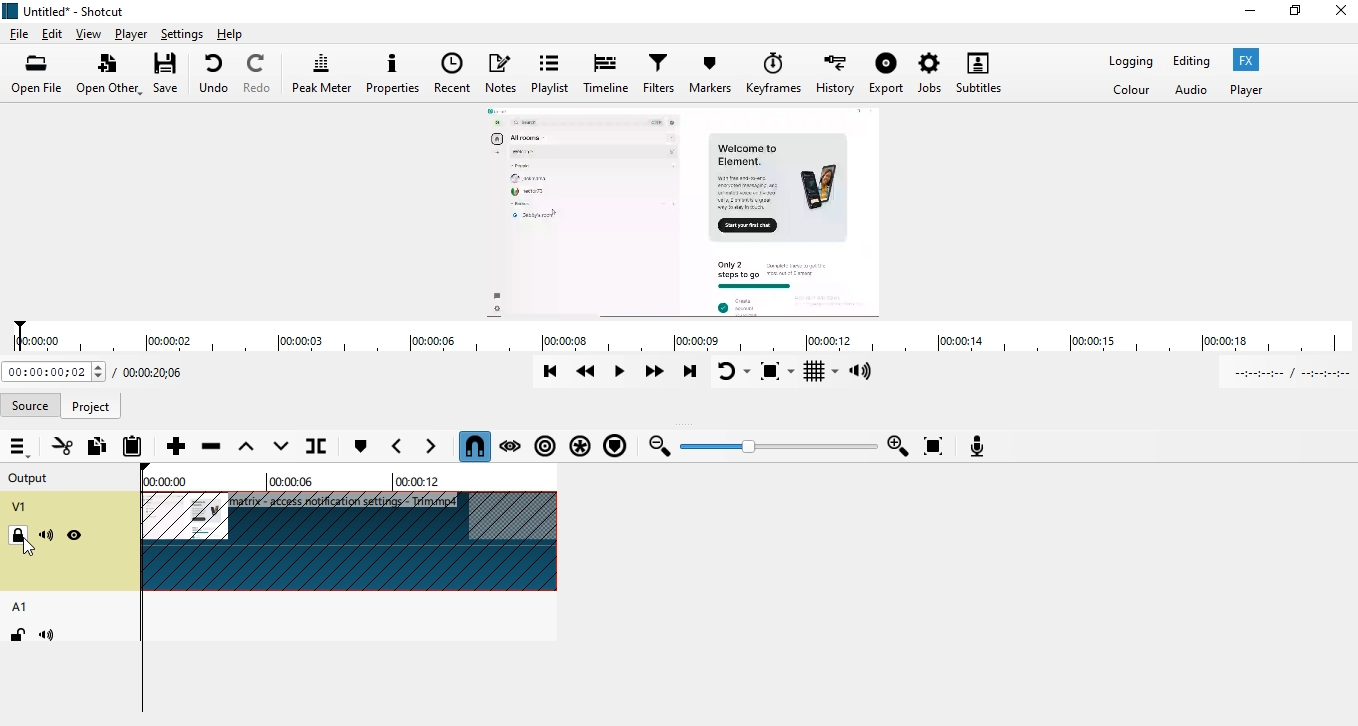 This screenshot has height=726, width=1358. Describe the element at coordinates (212, 446) in the screenshot. I see `Ripple delete` at that location.